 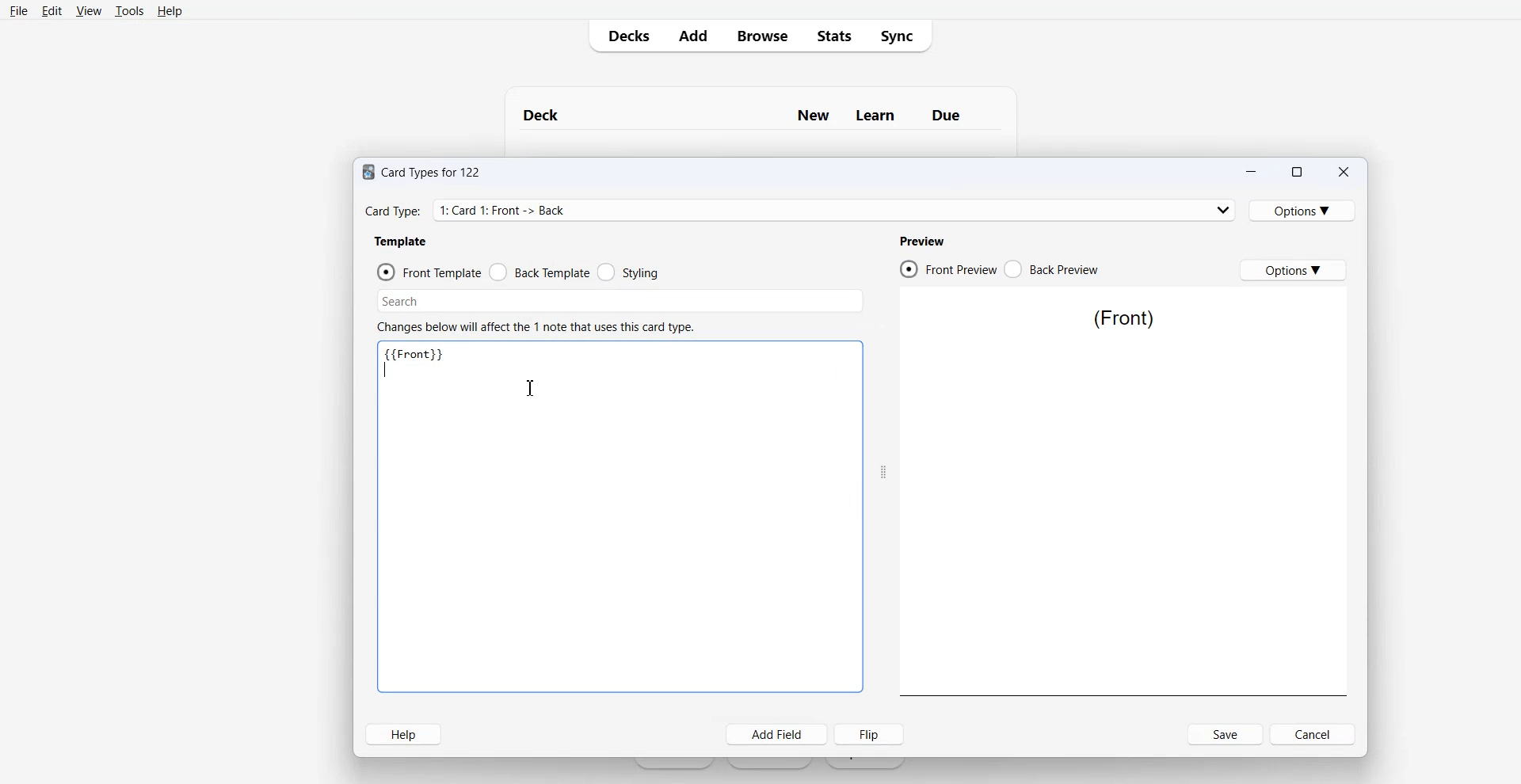 What do you see at coordinates (924, 242) in the screenshot?
I see `Preview` at bounding box center [924, 242].